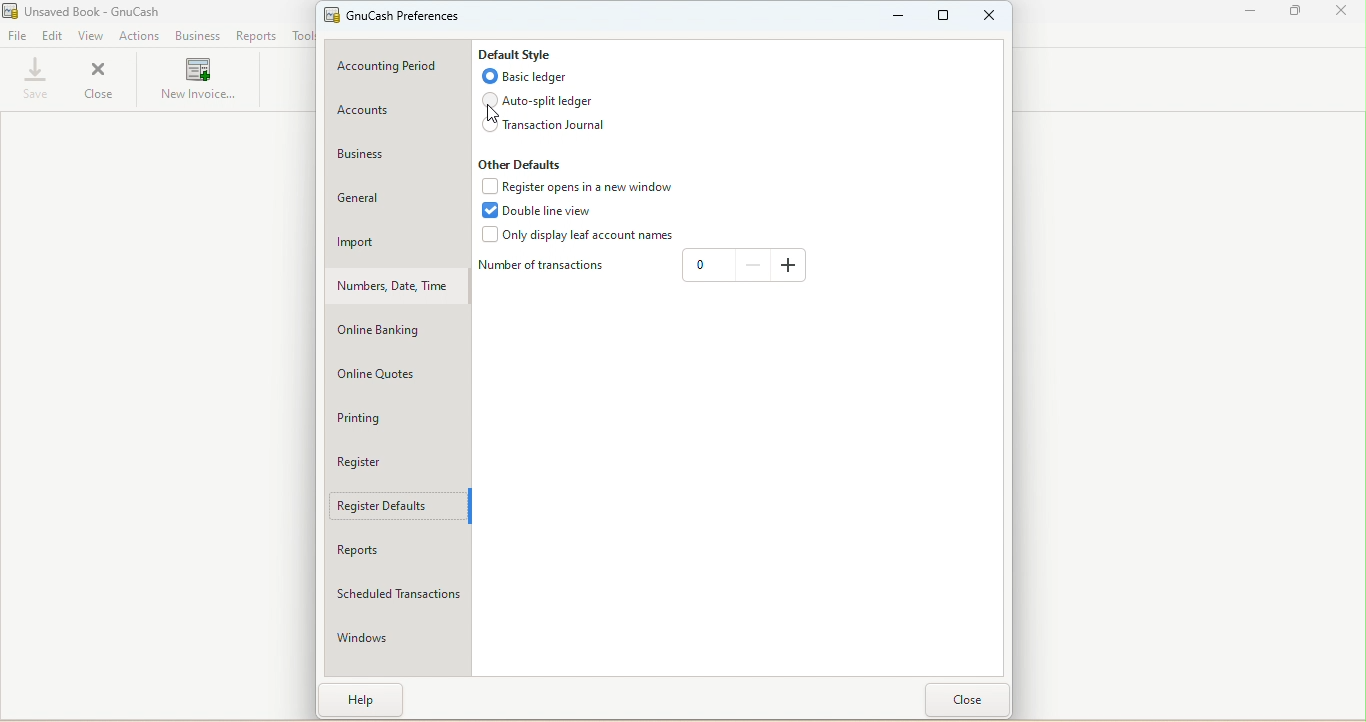  Describe the element at coordinates (899, 20) in the screenshot. I see `Minimize` at that location.